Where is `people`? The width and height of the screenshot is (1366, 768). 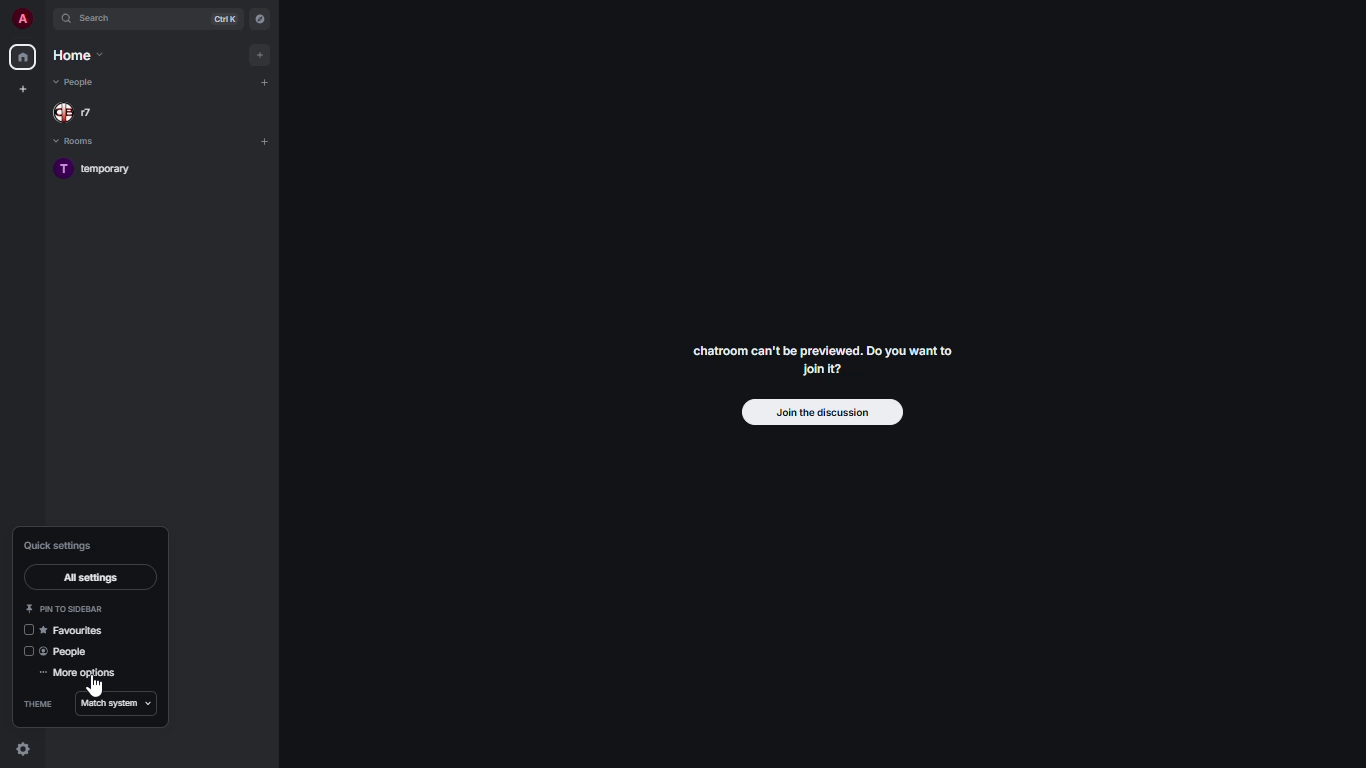 people is located at coordinates (77, 84).